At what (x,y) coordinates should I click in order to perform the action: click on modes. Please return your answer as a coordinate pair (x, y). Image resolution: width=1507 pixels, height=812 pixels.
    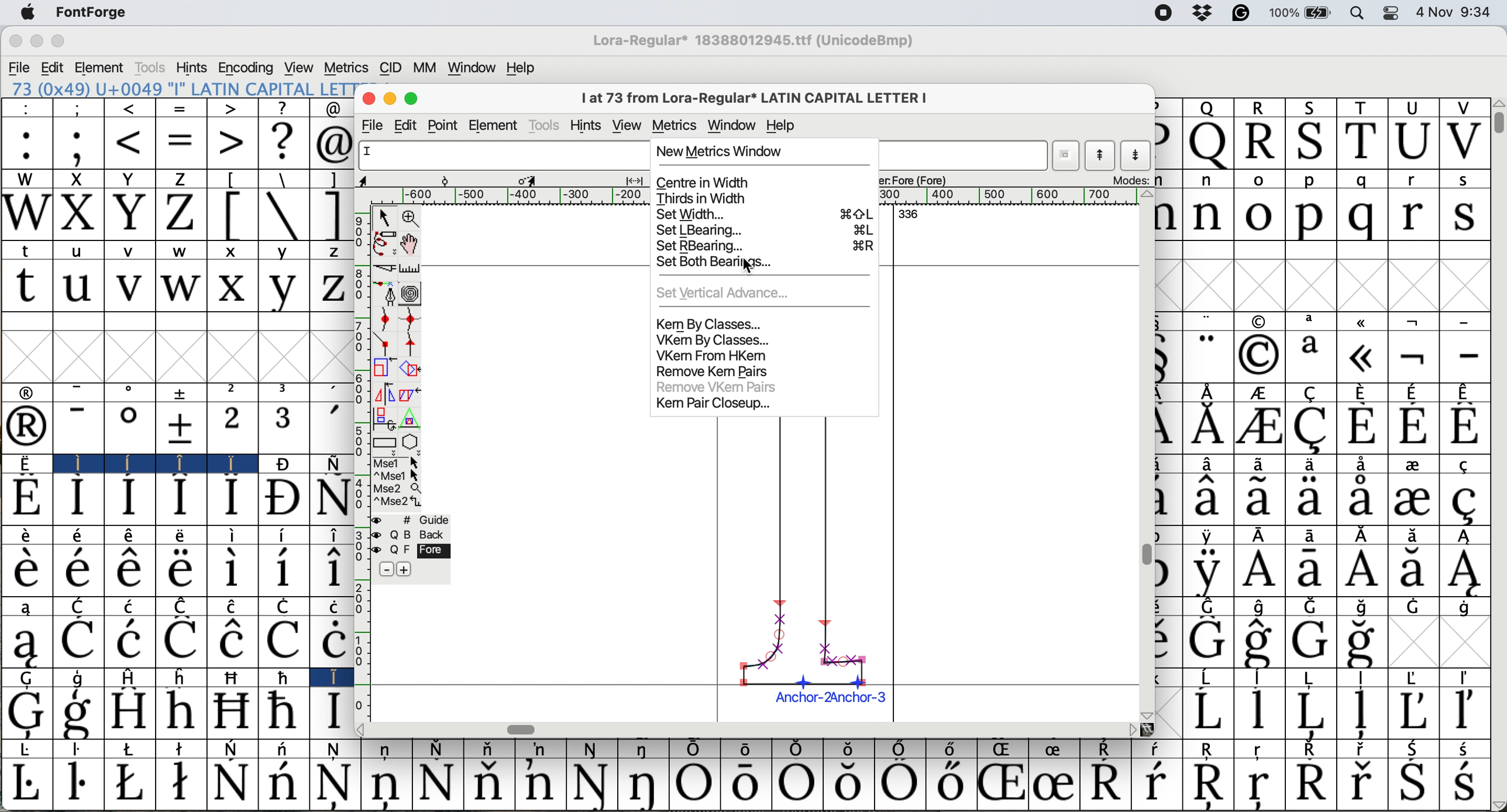
    Looking at the image, I should click on (1132, 181).